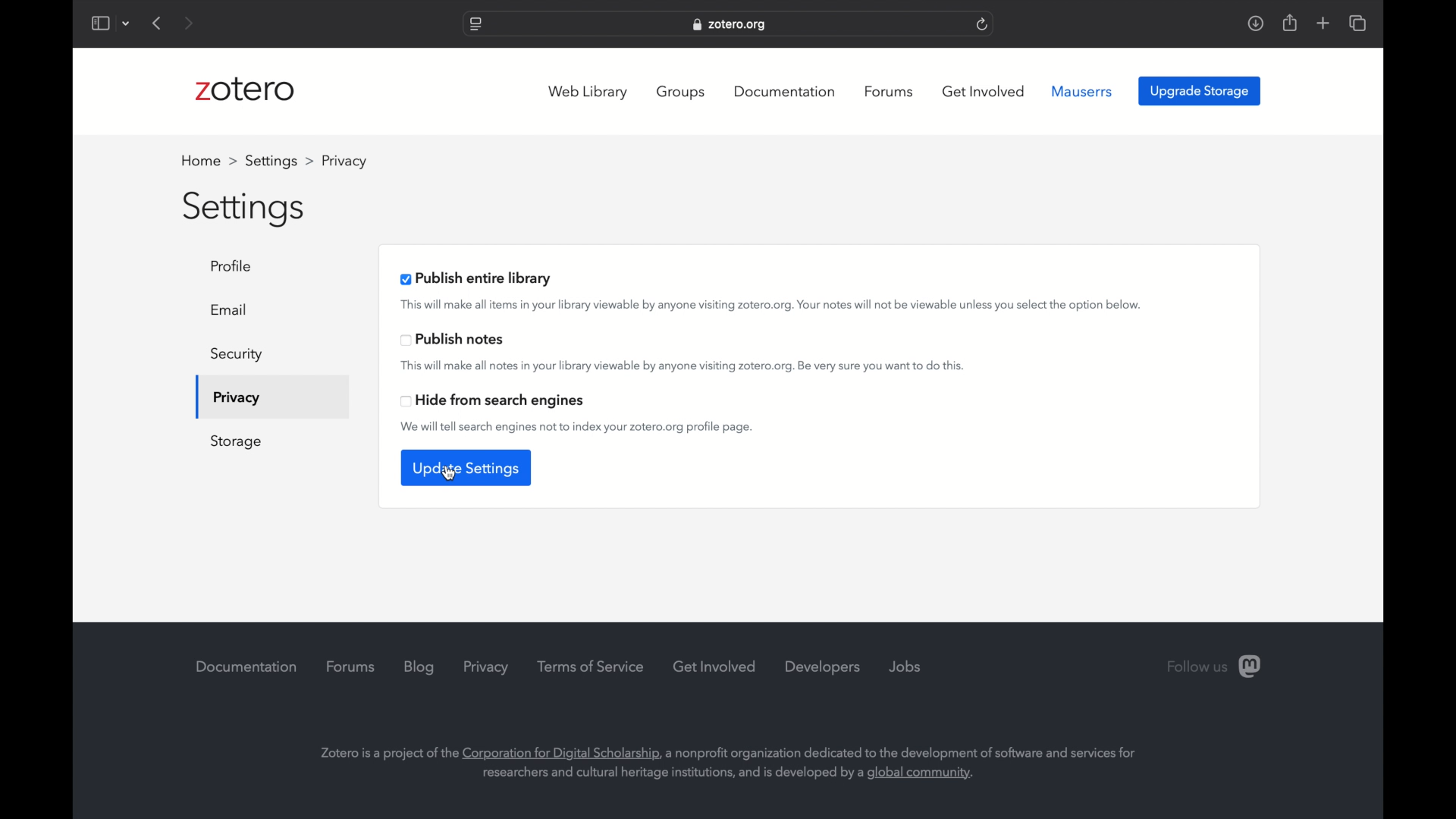 Image resolution: width=1456 pixels, height=819 pixels. I want to click on download, so click(1256, 24).